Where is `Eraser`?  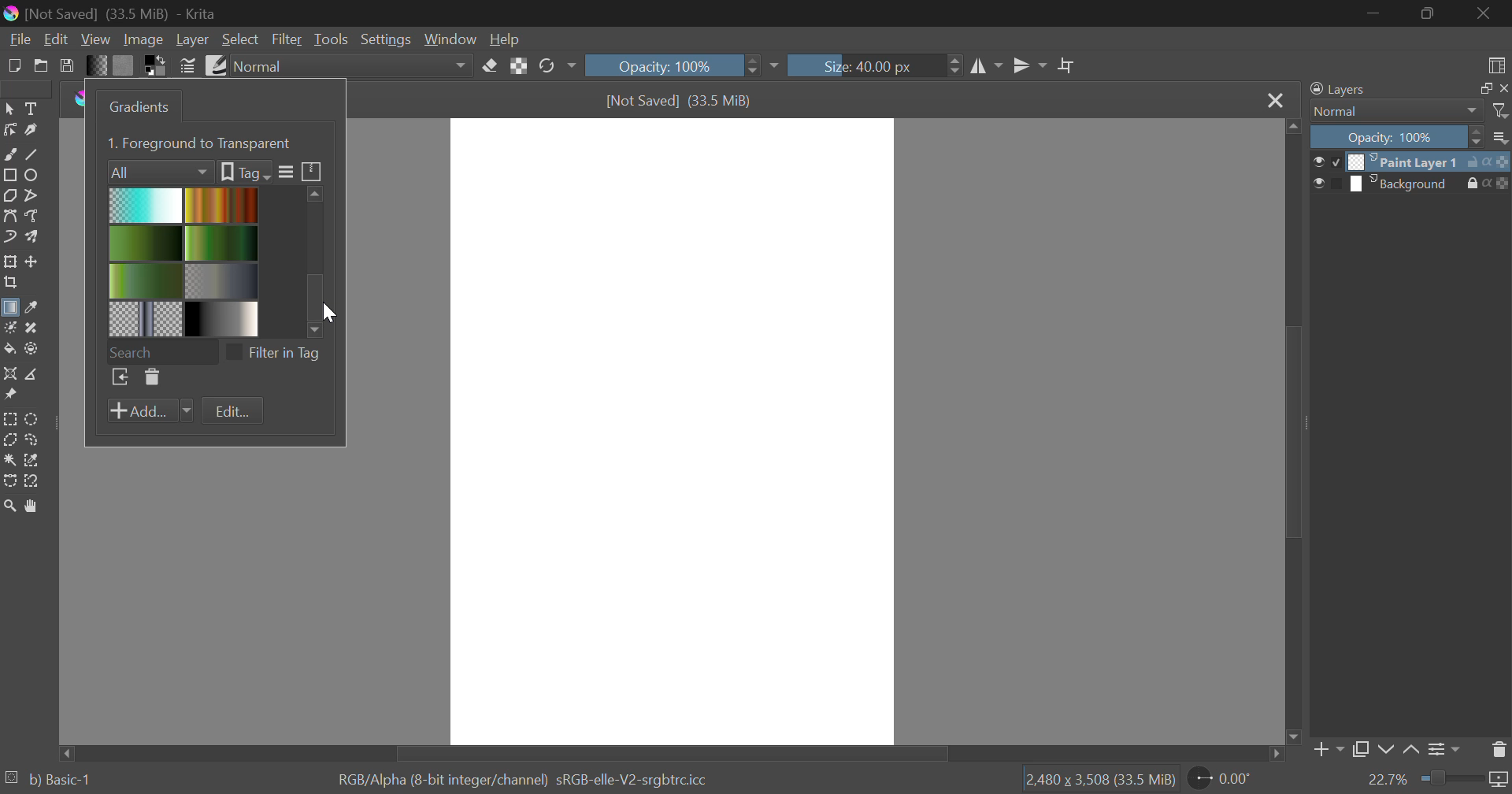 Eraser is located at coordinates (491, 64).